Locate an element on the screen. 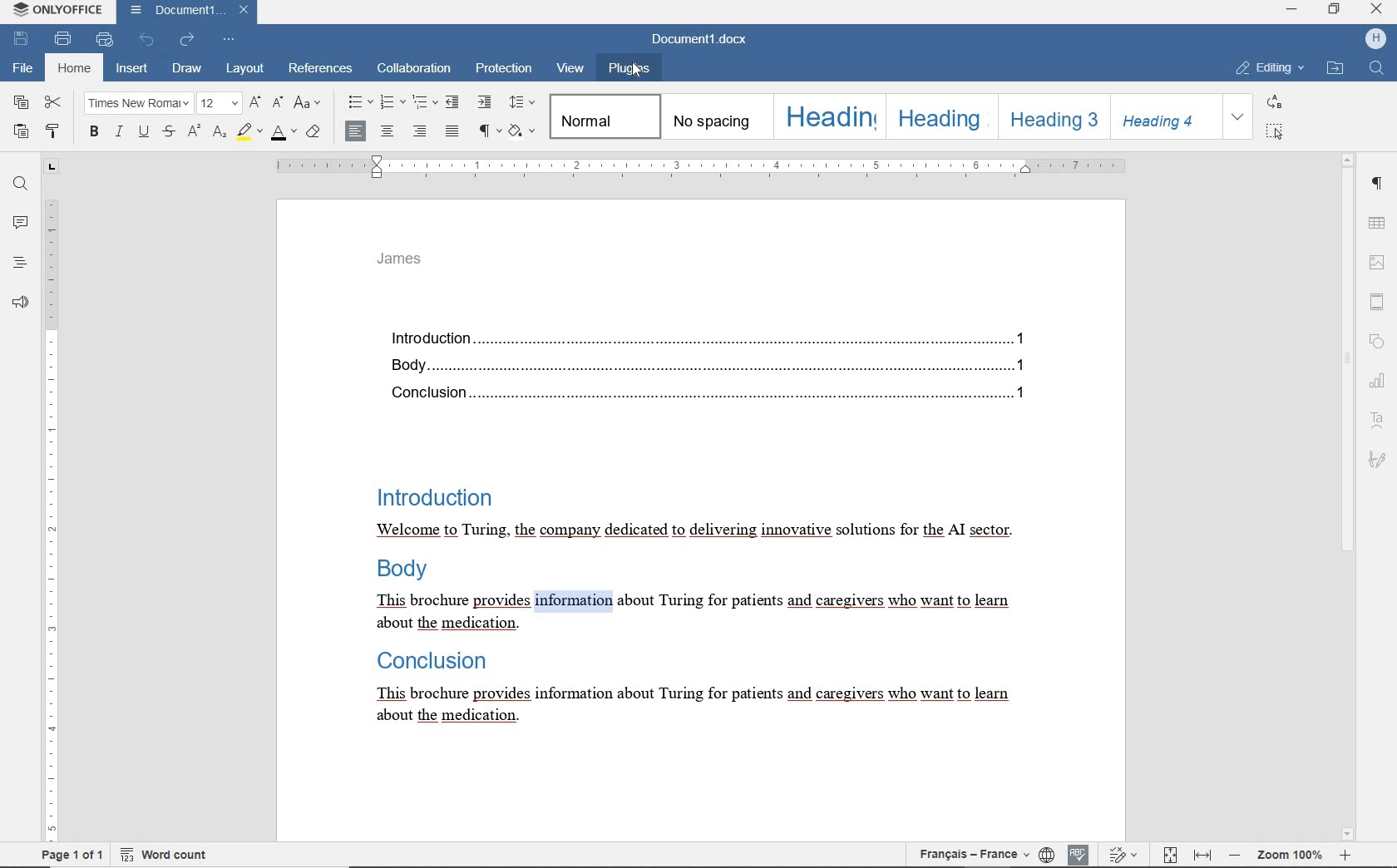  REPLACE is located at coordinates (1273, 101).